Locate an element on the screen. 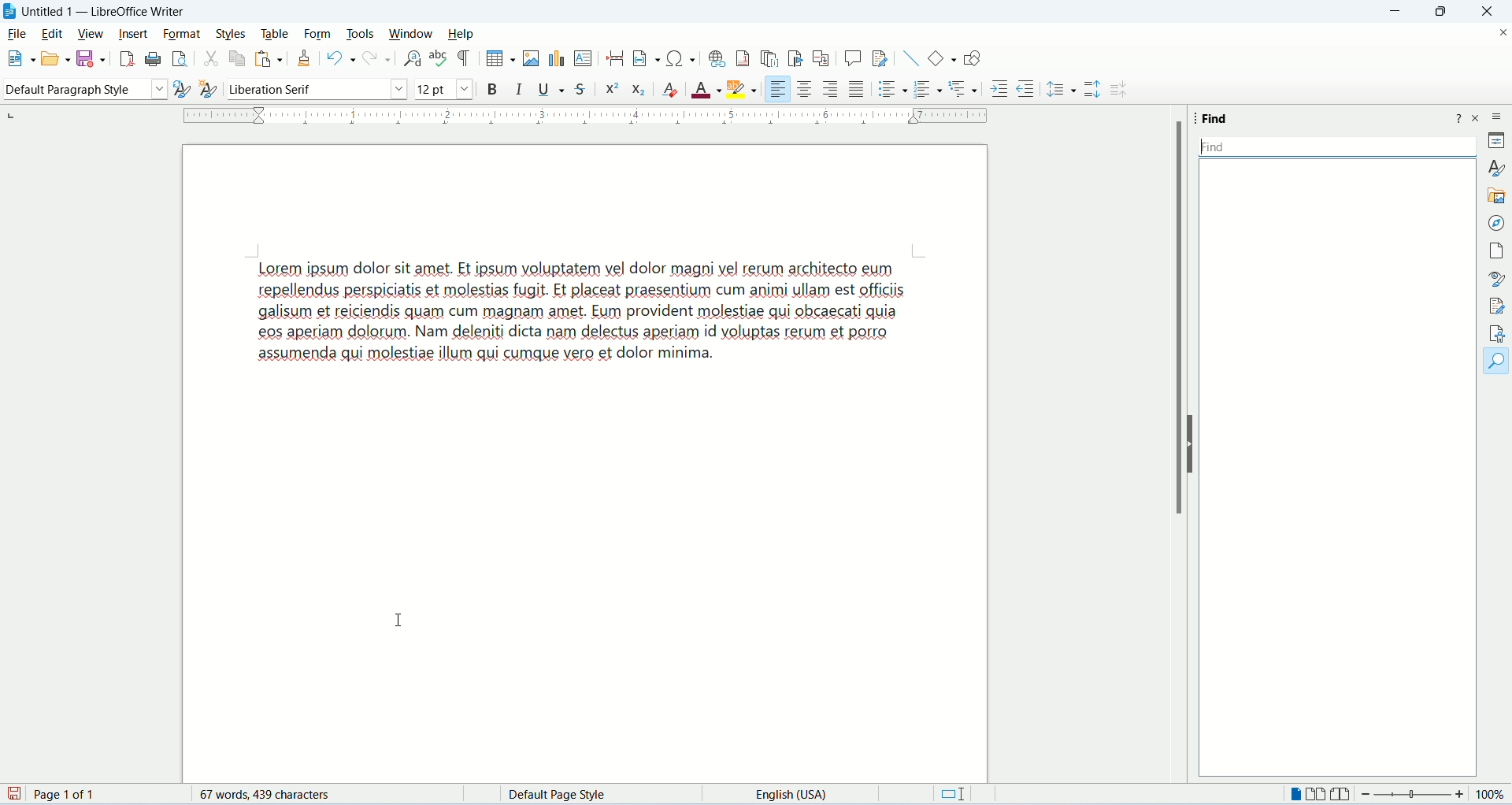  update selected style is located at coordinates (176, 88).